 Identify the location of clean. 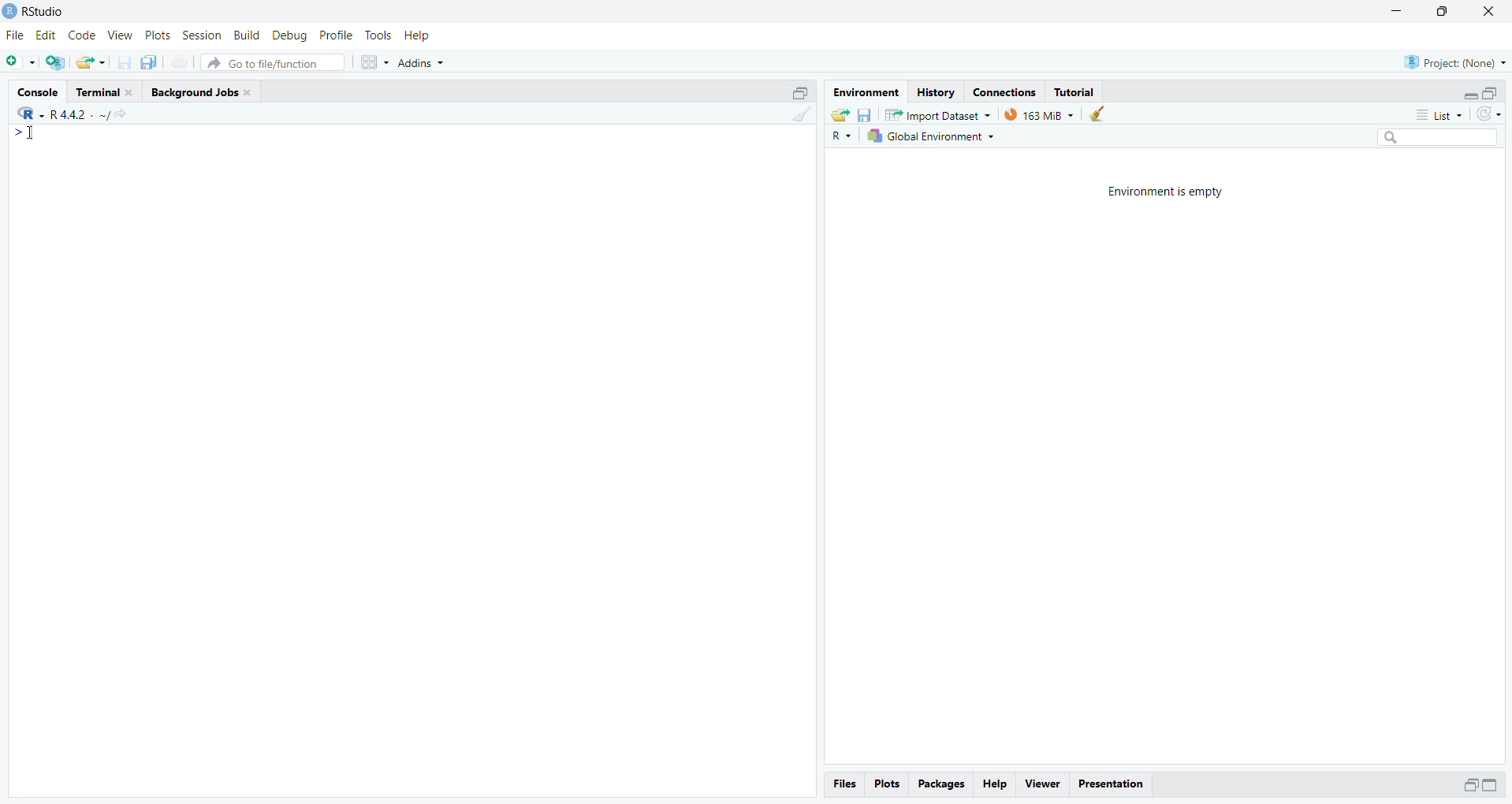
(1097, 114).